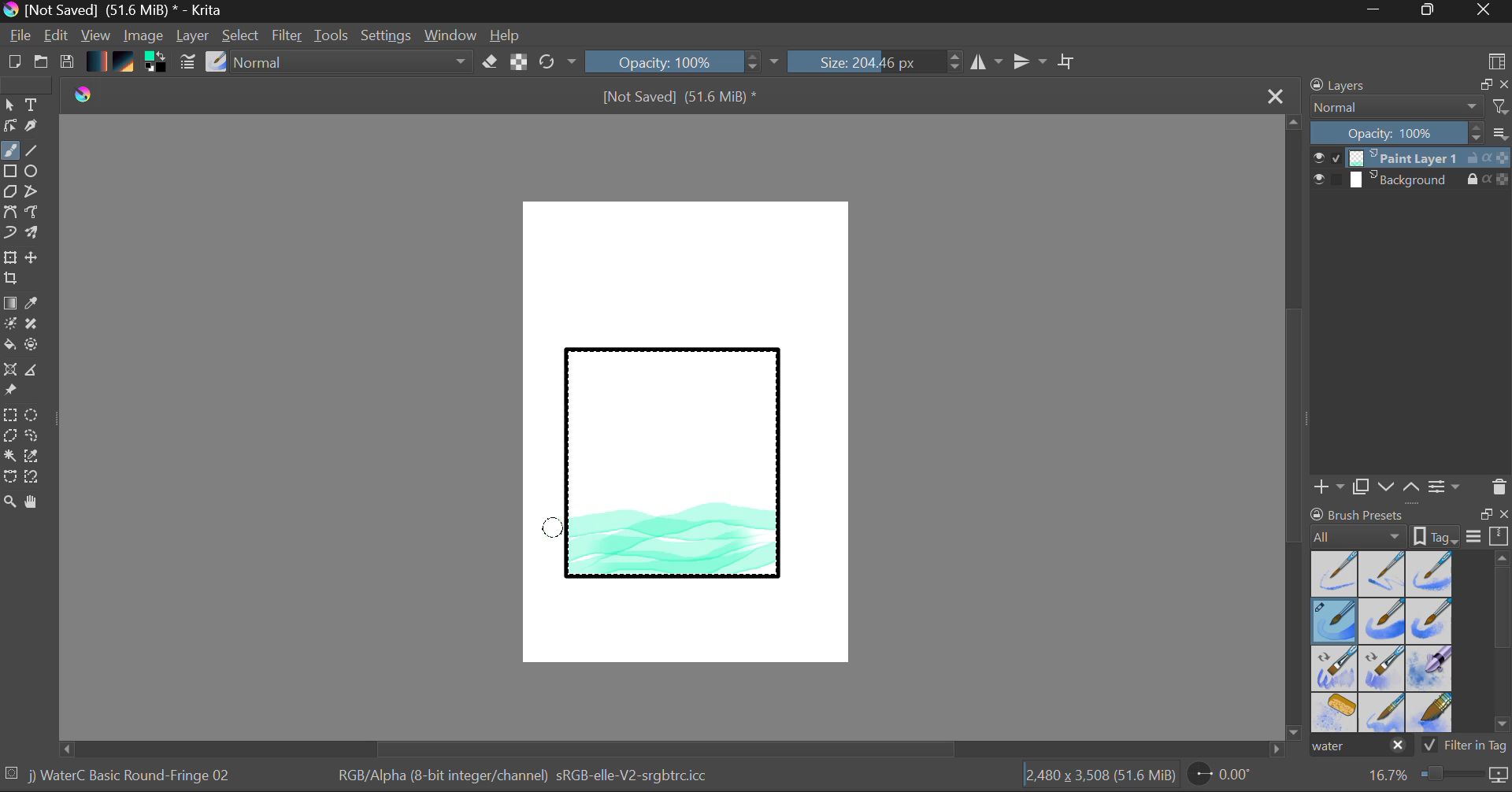 This screenshot has width=1512, height=792. I want to click on Document Dimensions, so click(1099, 778).